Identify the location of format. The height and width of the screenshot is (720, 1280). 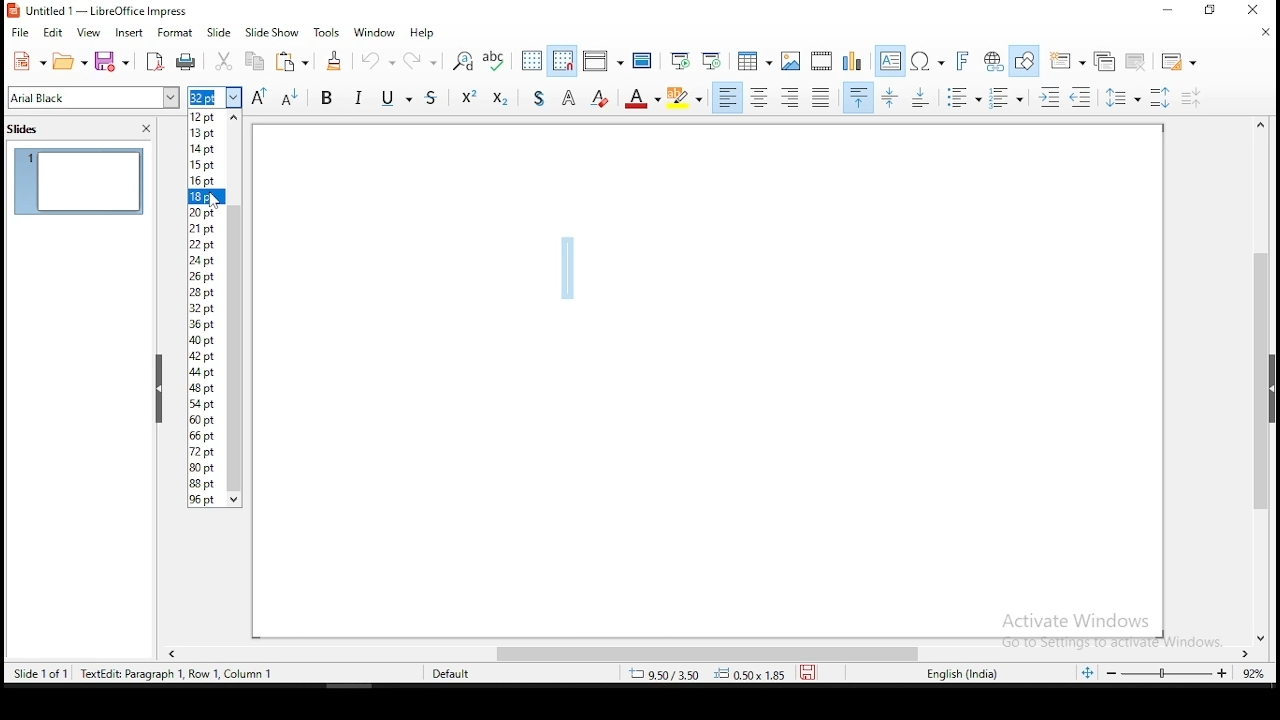
(176, 32).